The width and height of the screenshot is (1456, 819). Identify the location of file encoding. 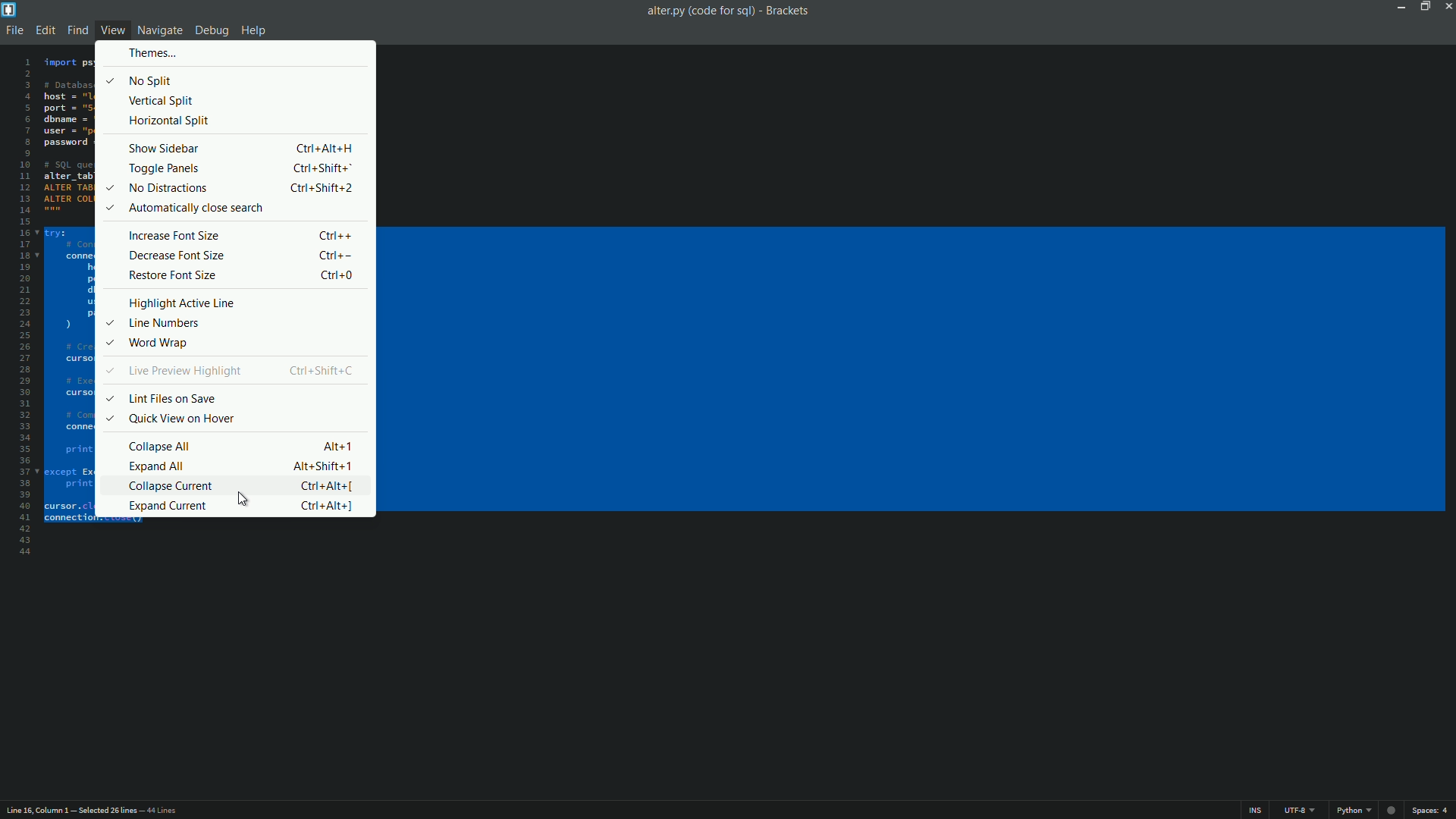
(1298, 811).